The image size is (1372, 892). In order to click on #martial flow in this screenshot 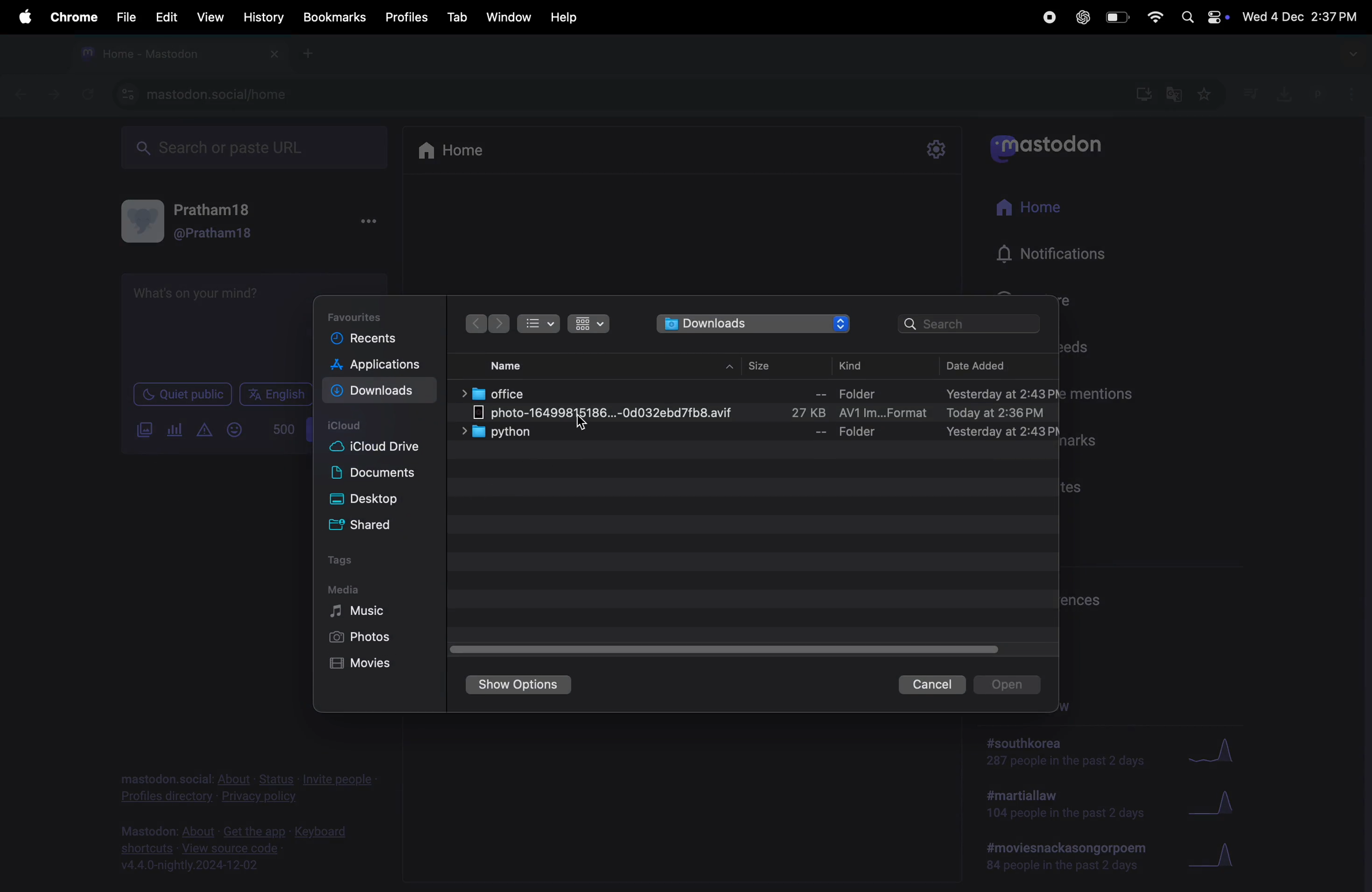, I will do `click(1067, 805)`.